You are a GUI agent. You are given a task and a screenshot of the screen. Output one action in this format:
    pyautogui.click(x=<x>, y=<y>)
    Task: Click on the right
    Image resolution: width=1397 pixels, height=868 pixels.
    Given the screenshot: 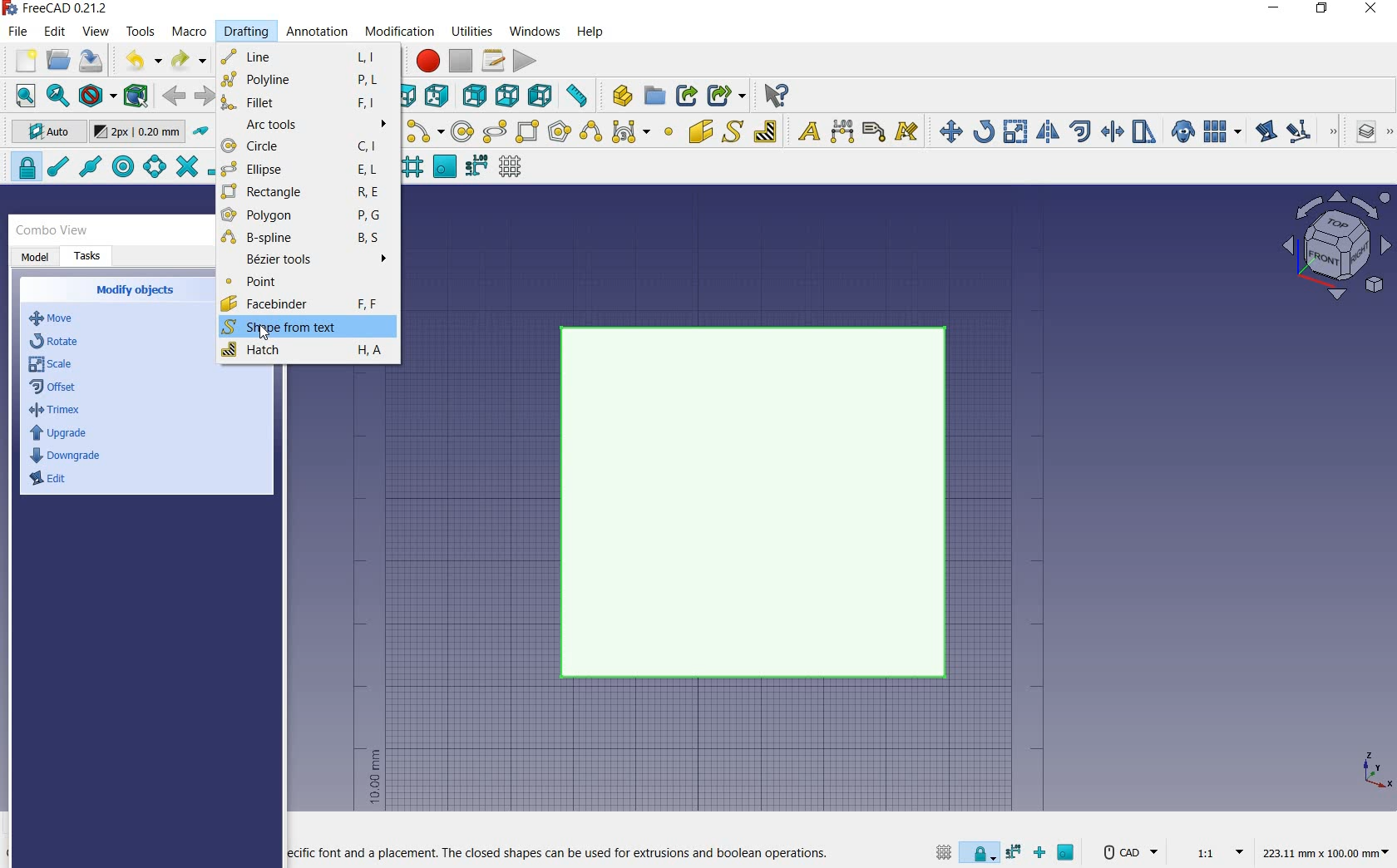 What is the action you would take?
    pyautogui.click(x=440, y=96)
    